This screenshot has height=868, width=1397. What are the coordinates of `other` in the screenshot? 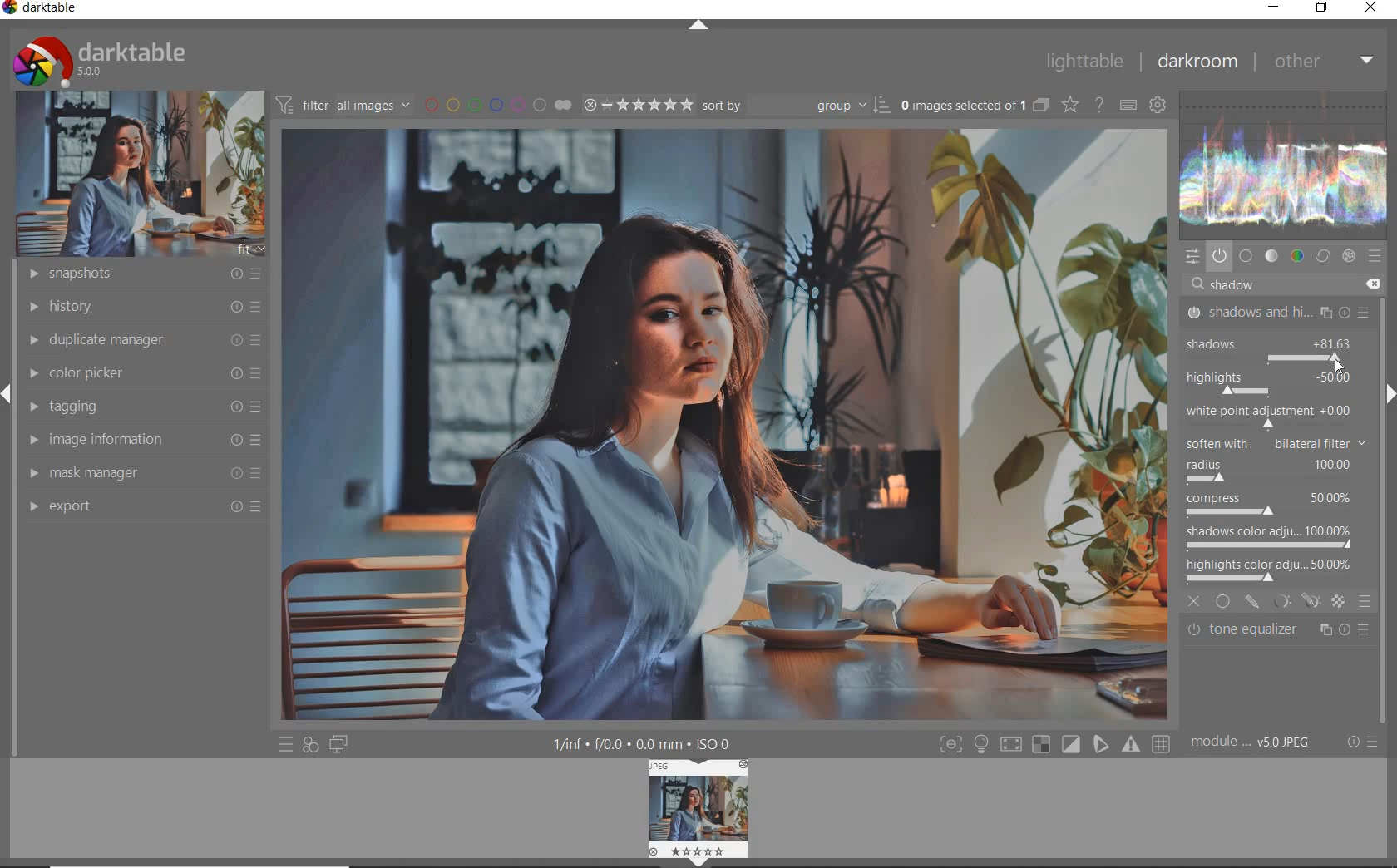 It's located at (1323, 61).